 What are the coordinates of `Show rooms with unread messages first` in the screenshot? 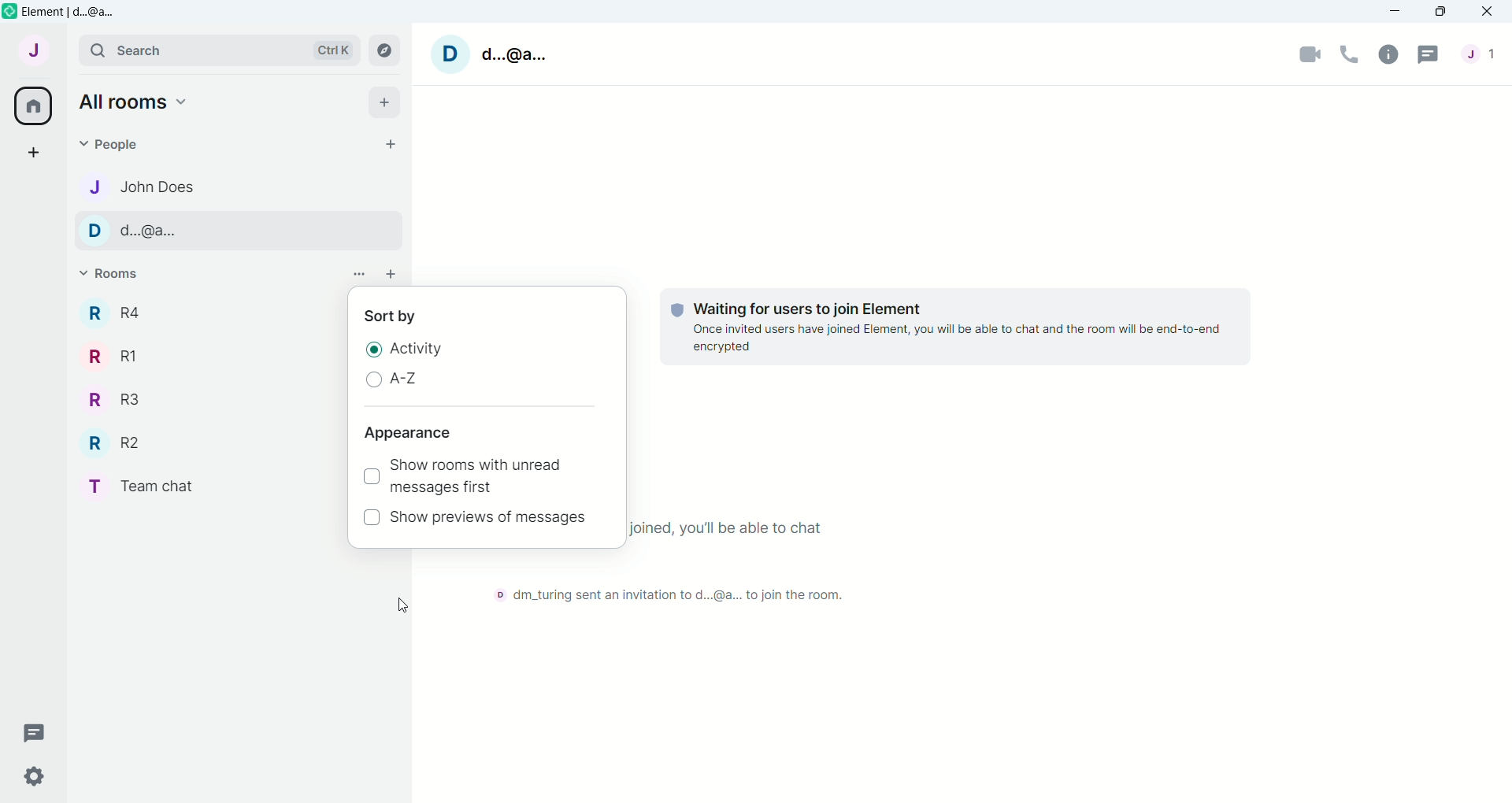 It's located at (478, 478).